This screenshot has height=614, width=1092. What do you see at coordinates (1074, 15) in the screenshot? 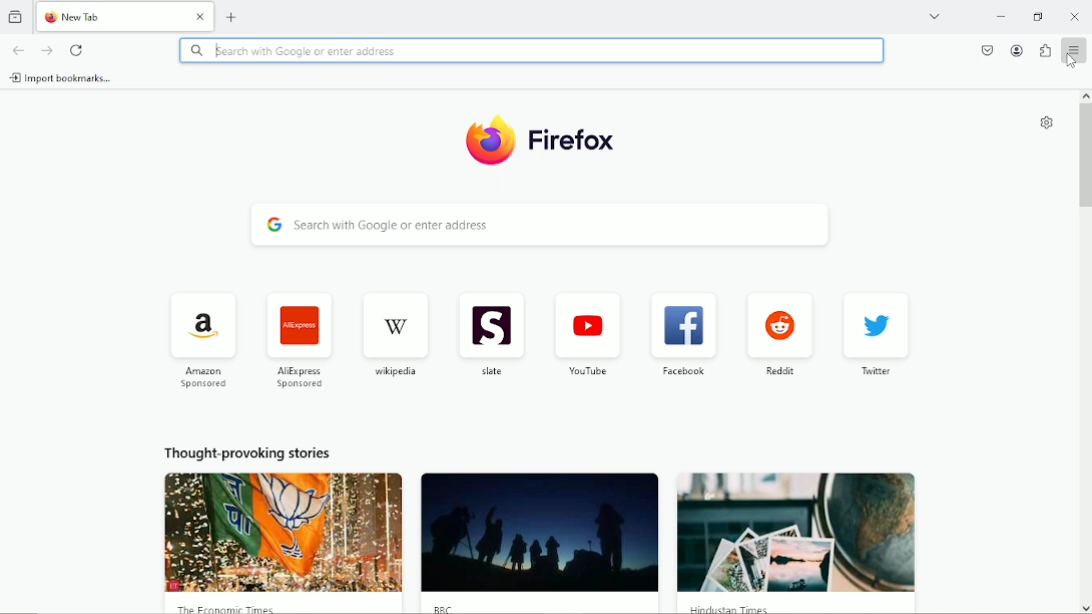
I see `Close` at bounding box center [1074, 15].